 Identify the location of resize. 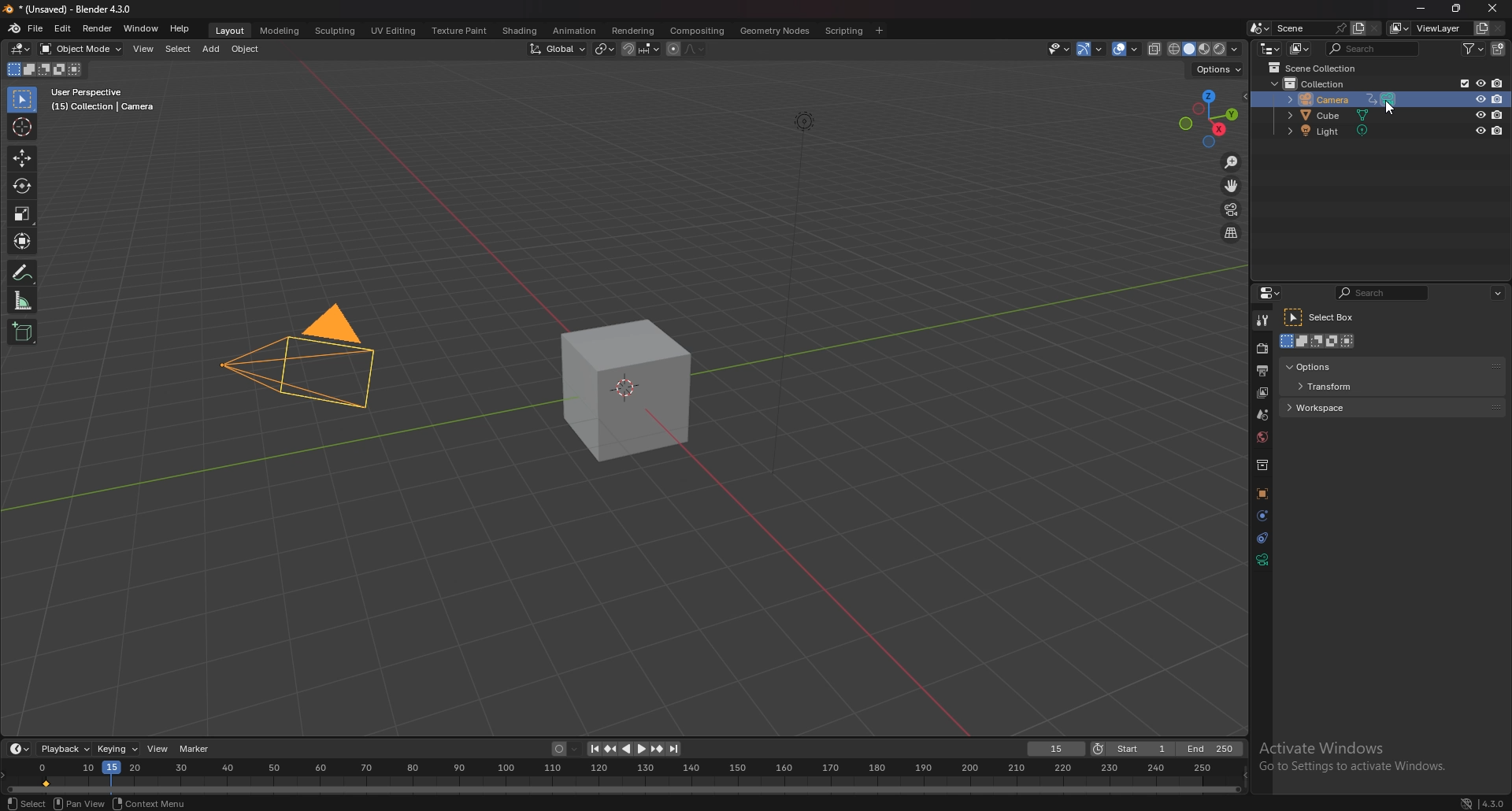
(1454, 9).